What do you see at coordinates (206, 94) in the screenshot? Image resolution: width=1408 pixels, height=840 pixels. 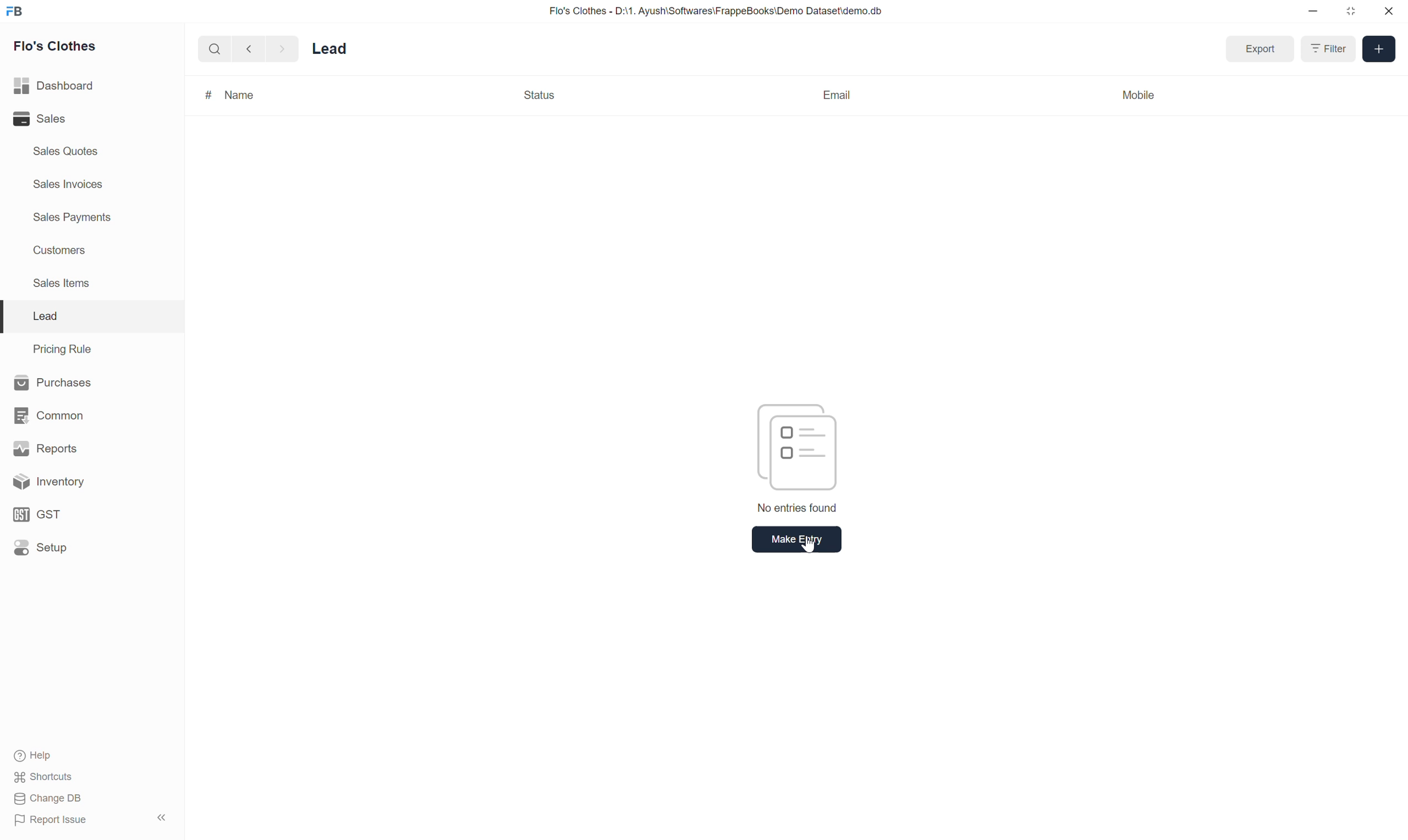 I see `#` at bounding box center [206, 94].